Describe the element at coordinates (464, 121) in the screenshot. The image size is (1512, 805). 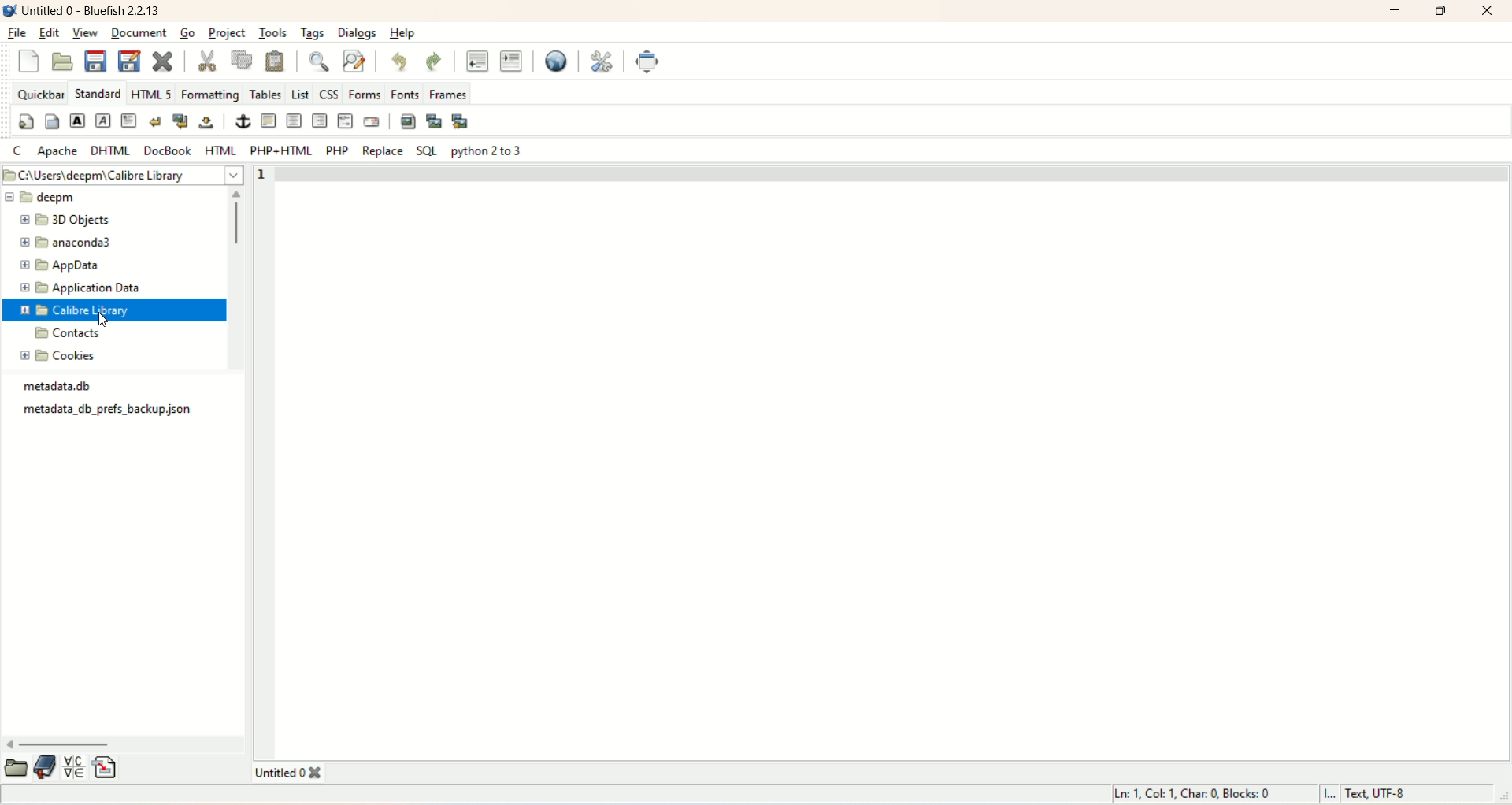
I see `multi-thumbnail` at that location.